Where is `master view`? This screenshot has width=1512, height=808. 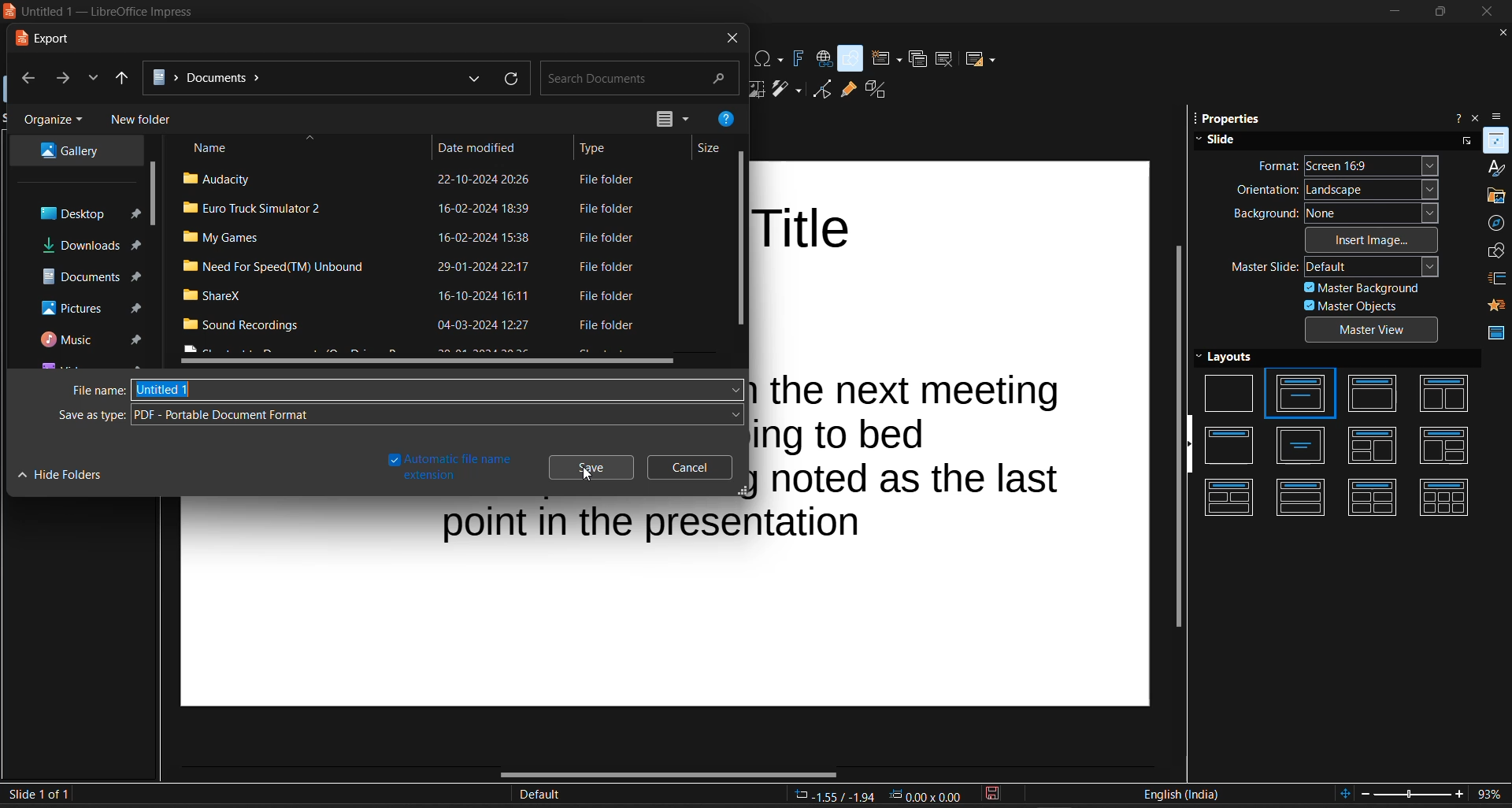 master view is located at coordinates (1374, 330).